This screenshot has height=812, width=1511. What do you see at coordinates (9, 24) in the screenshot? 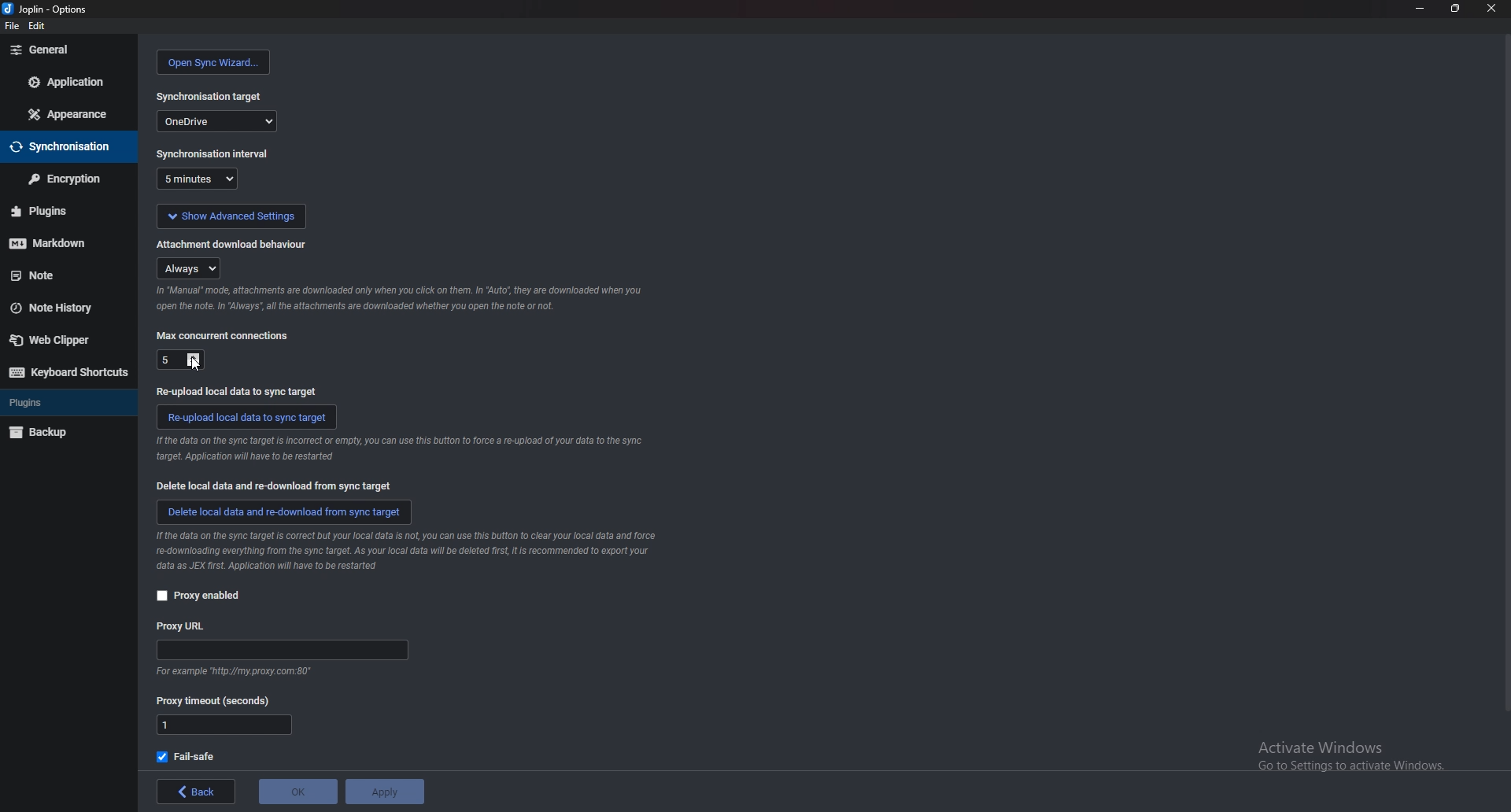
I see `file` at bounding box center [9, 24].